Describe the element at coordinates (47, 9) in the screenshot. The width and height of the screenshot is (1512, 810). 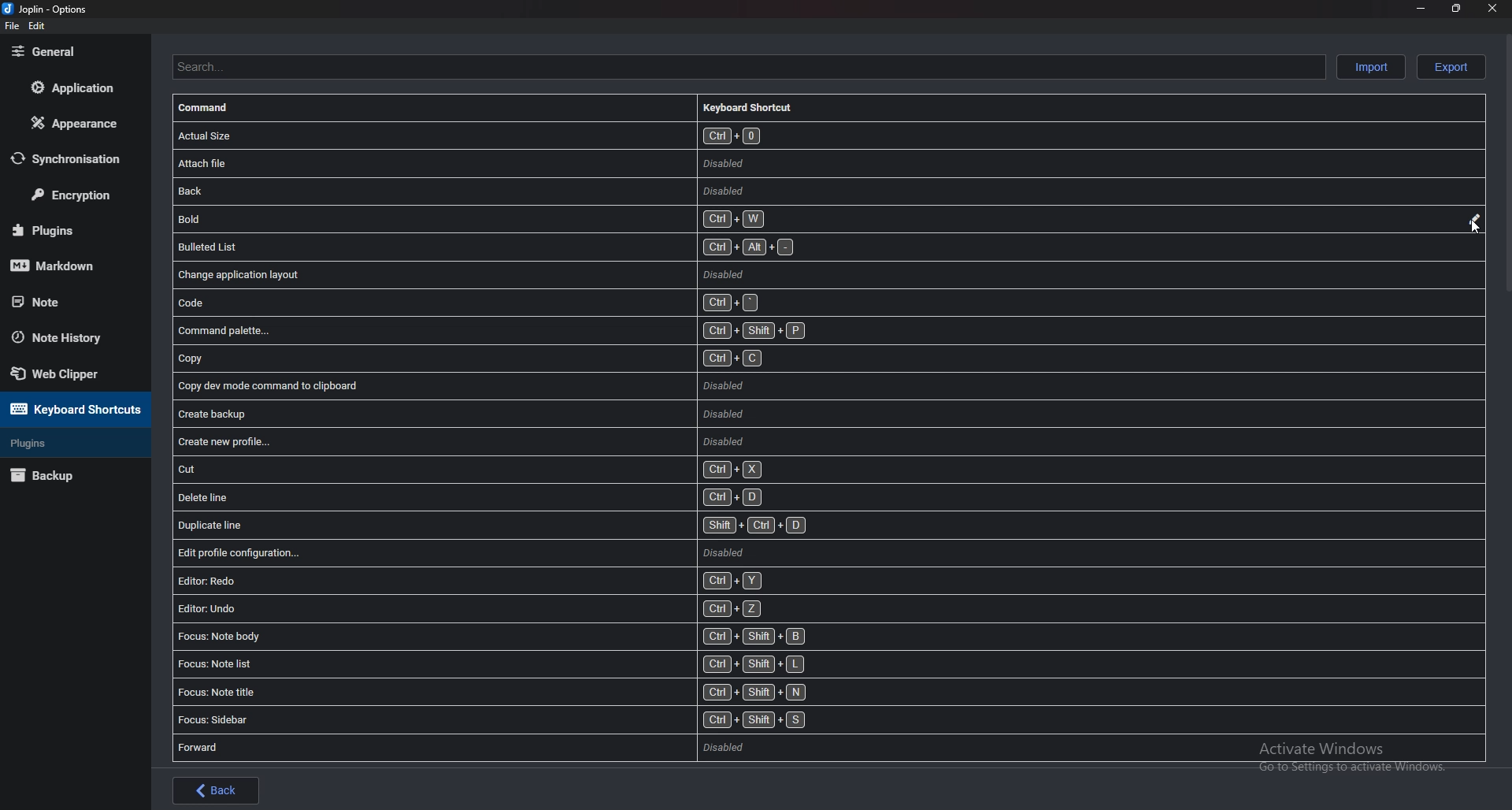
I see `joplin - Option` at that location.